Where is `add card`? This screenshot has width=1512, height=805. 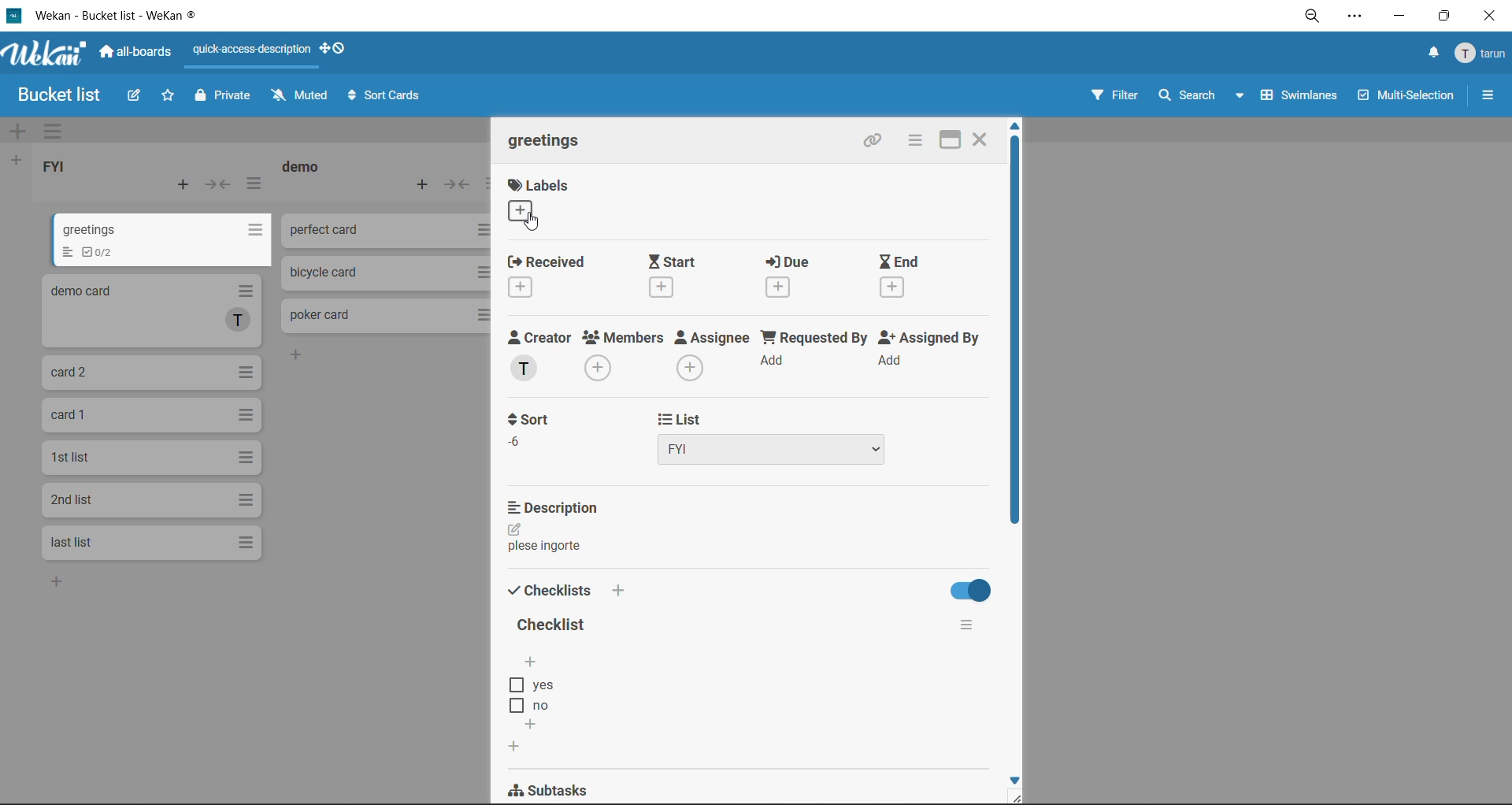
add card is located at coordinates (180, 183).